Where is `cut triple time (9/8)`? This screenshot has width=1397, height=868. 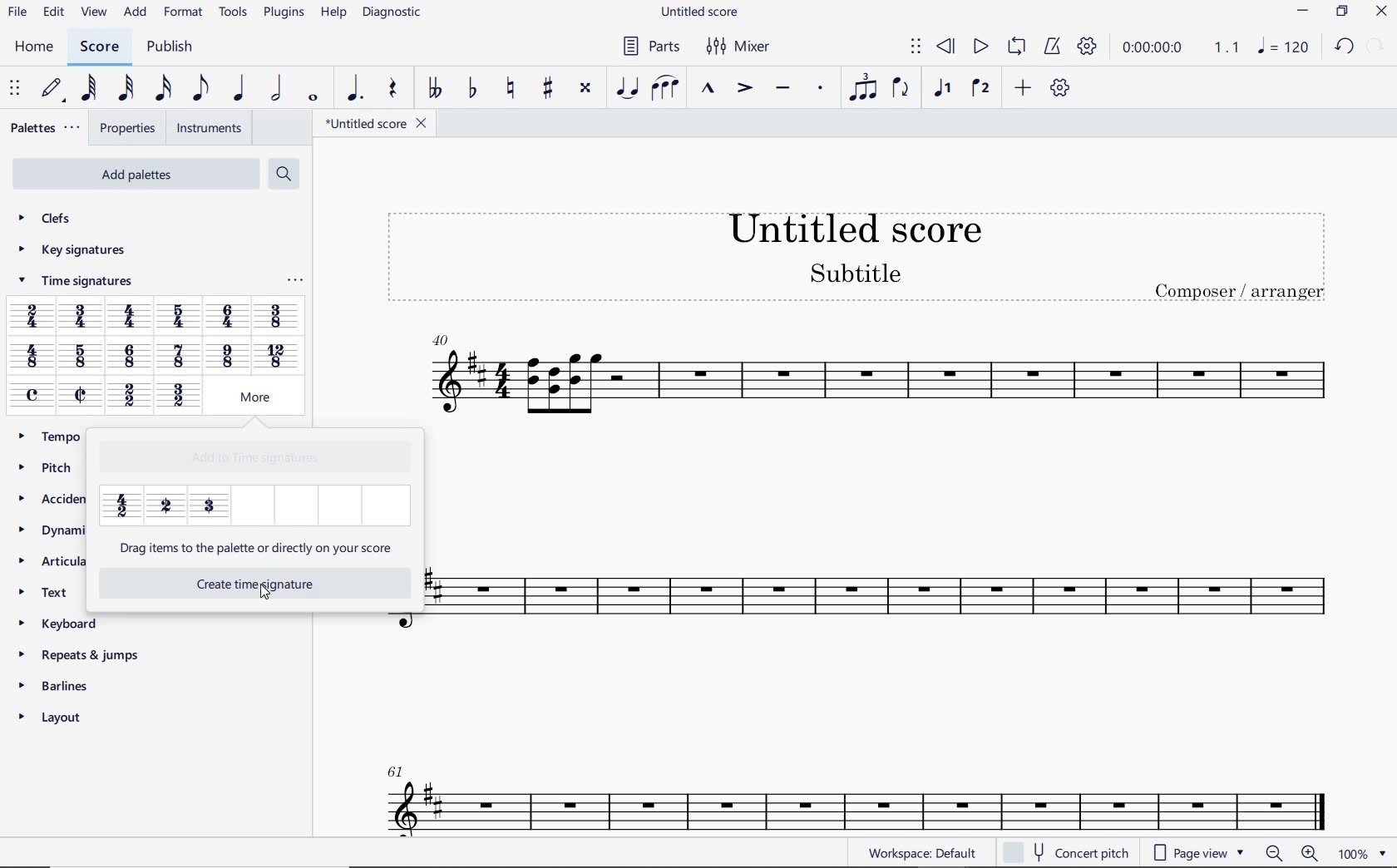 cut triple time (9/8) is located at coordinates (210, 504).